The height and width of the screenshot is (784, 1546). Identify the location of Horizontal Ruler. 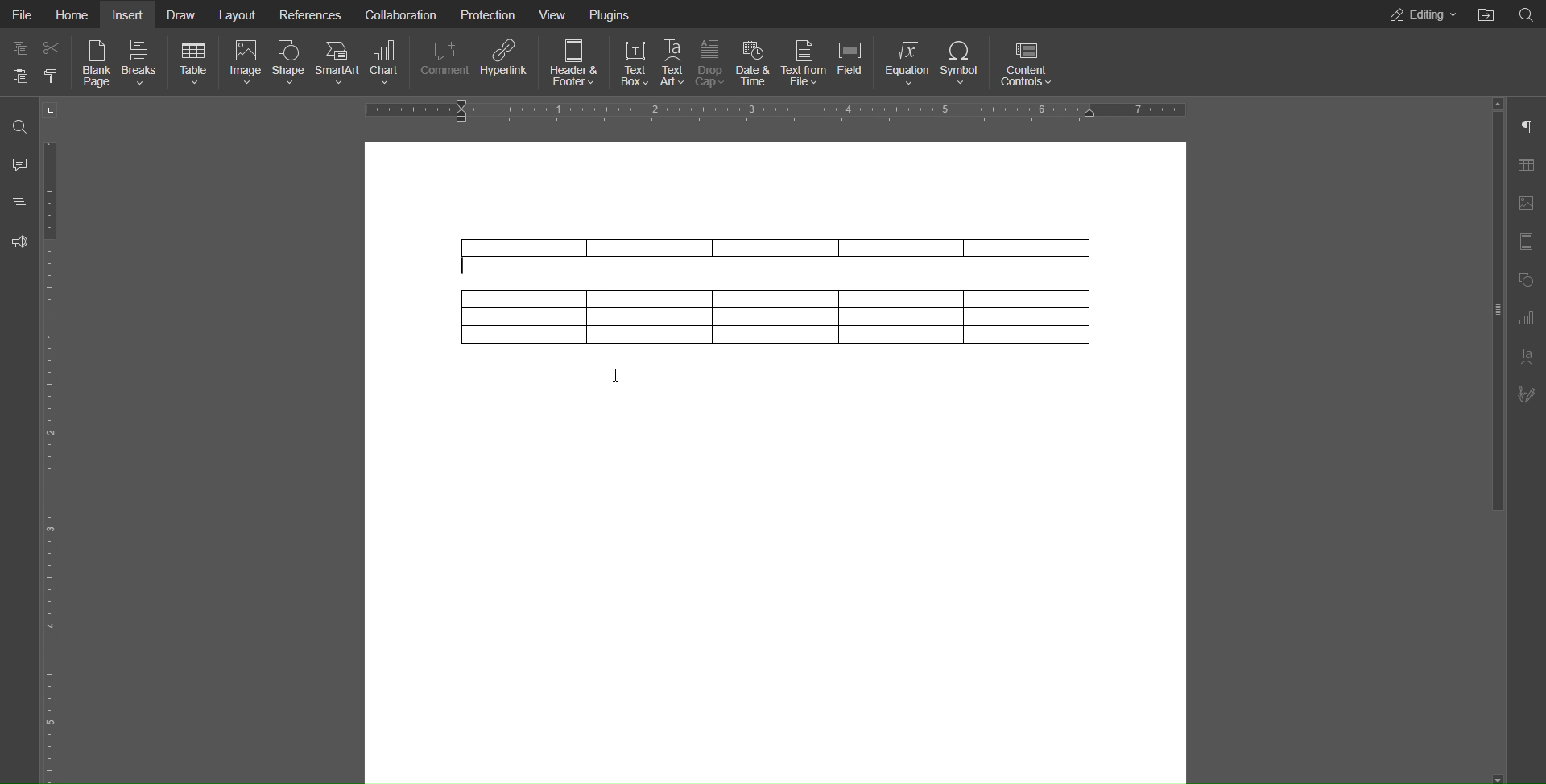
(782, 110).